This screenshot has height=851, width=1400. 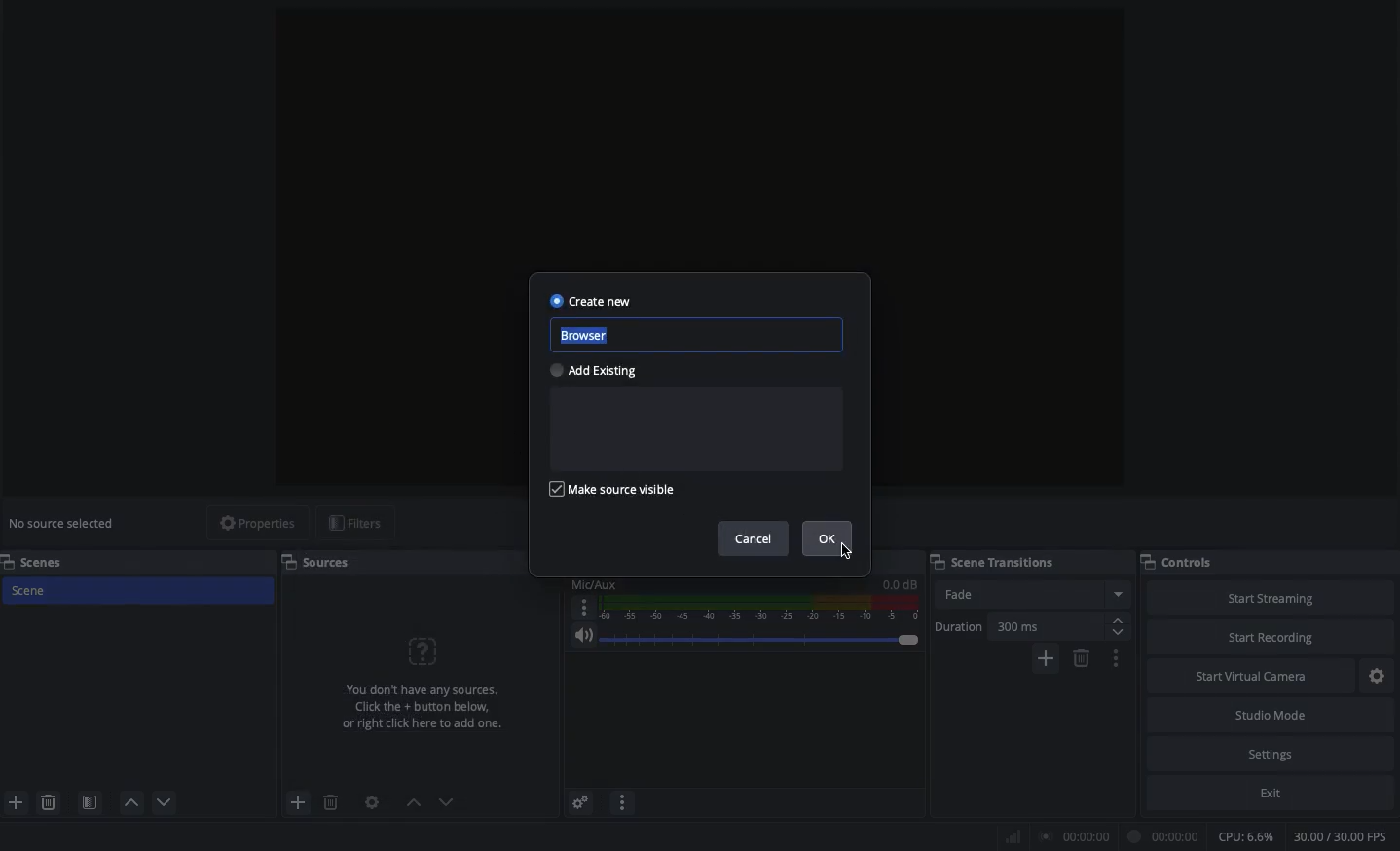 What do you see at coordinates (1179, 562) in the screenshot?
I see `Controls` at bounding box center [1179, 562].